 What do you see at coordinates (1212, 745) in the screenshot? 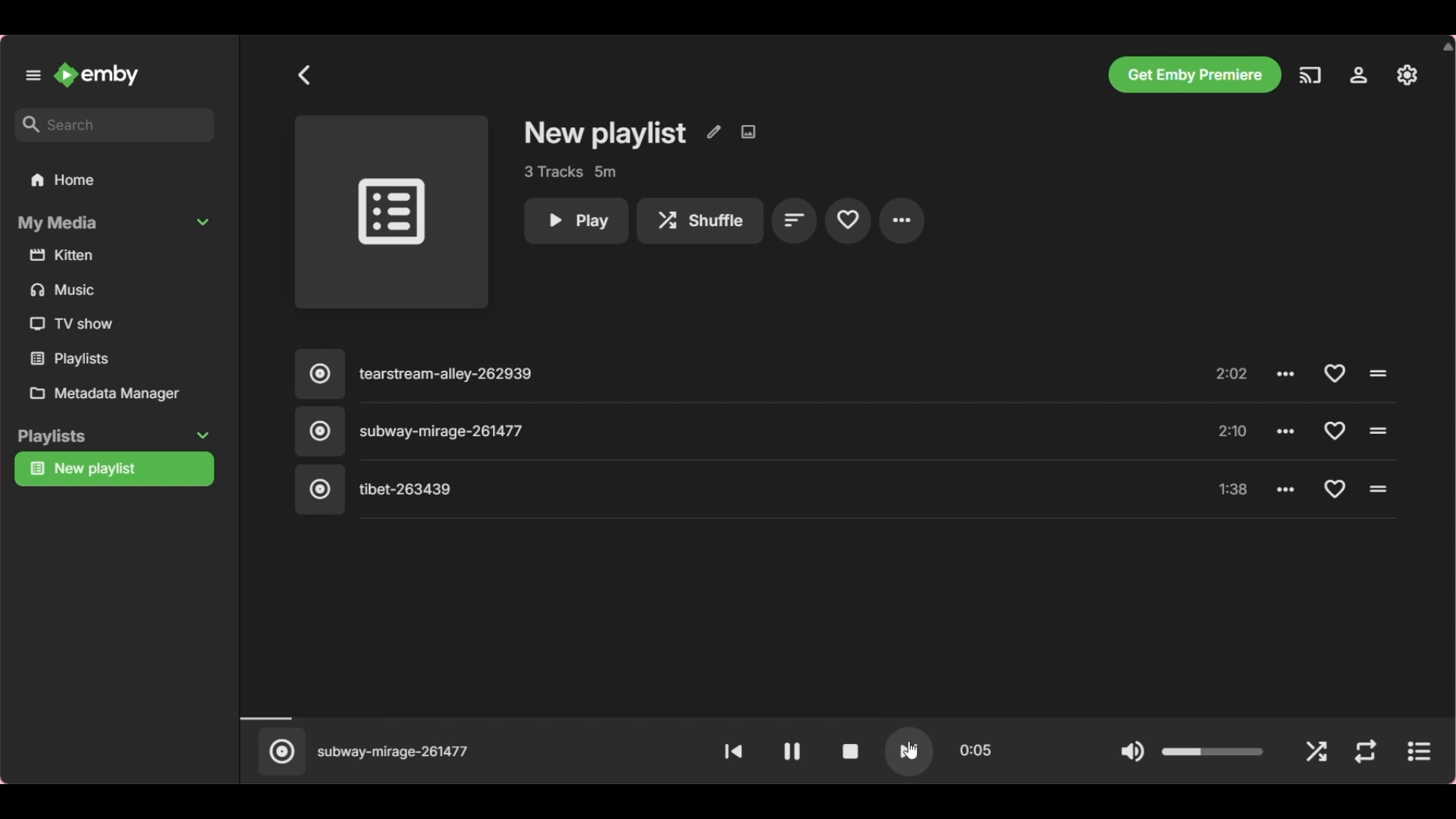
I see `Slider to change volume` at bounding box center [1212, 745].